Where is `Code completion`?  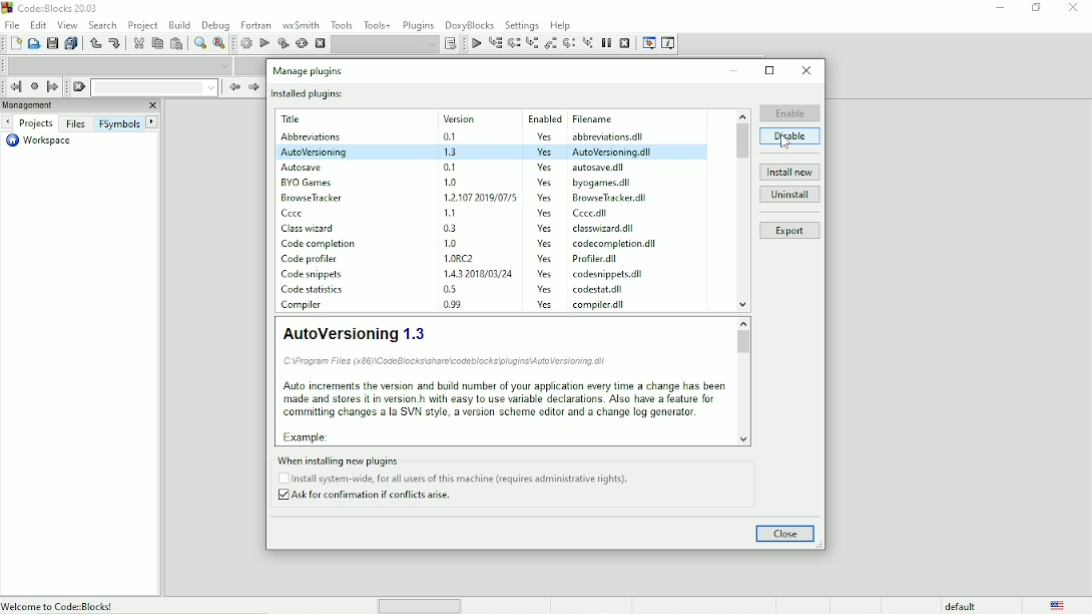
Code completion is located at coordinates (320, 244).